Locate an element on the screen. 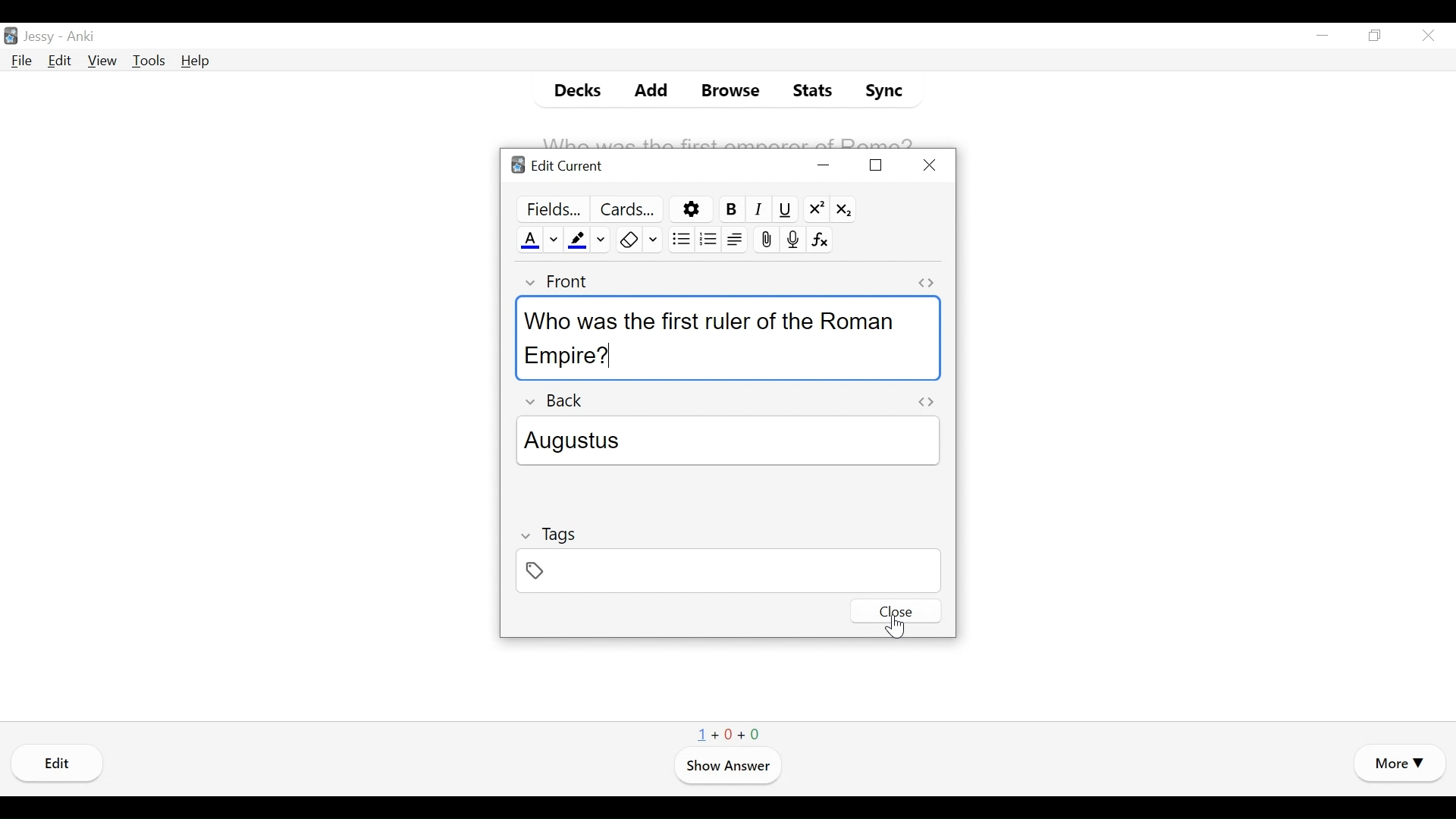 The image size is (1456, 819). User Name is located at coordinates (39, 38).